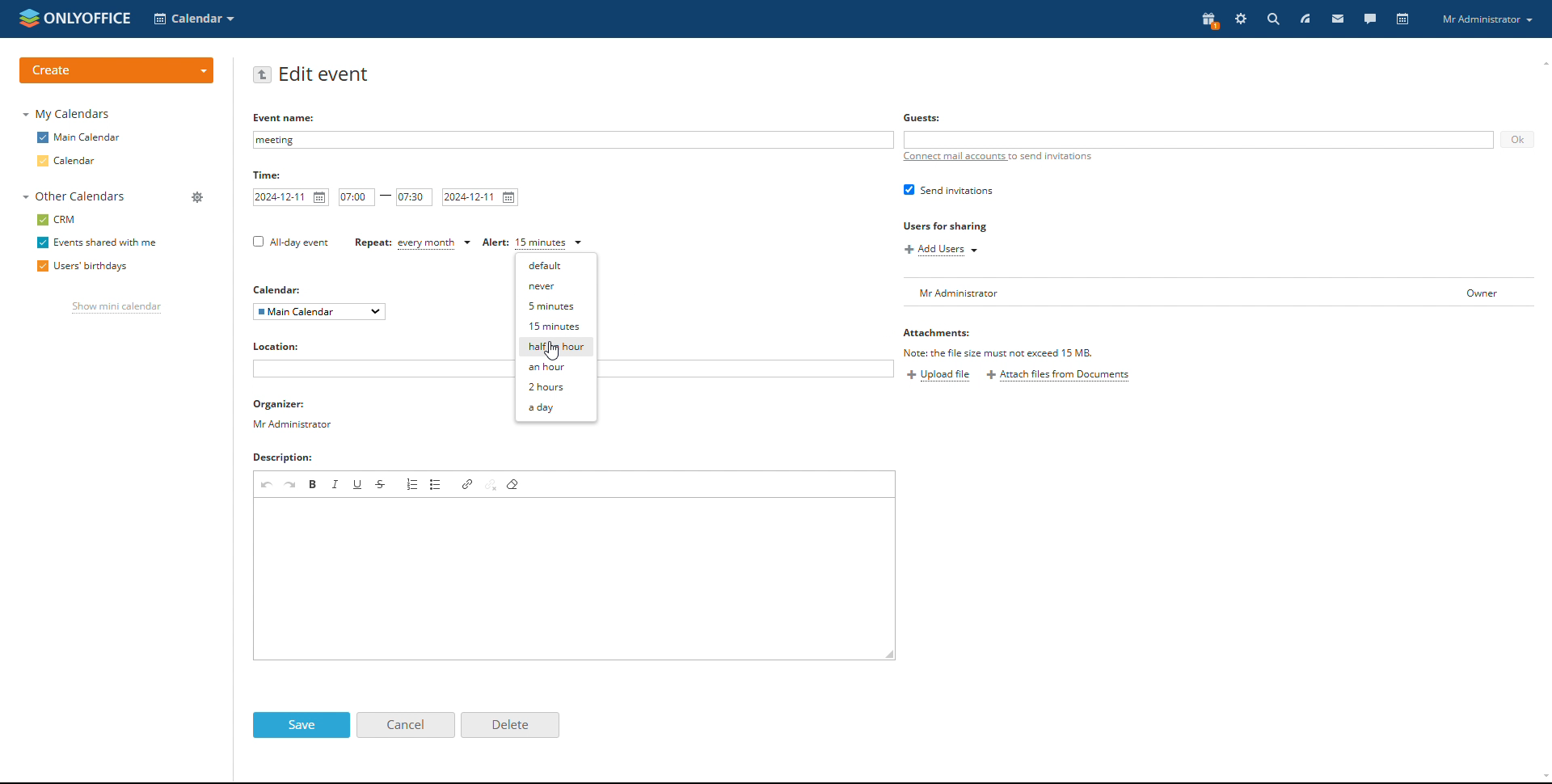  Describe the element at coordinates (997, 343) in the screenshot. I see `Attachments:
Note: the file size must not exceed 15 MB.` at that location.